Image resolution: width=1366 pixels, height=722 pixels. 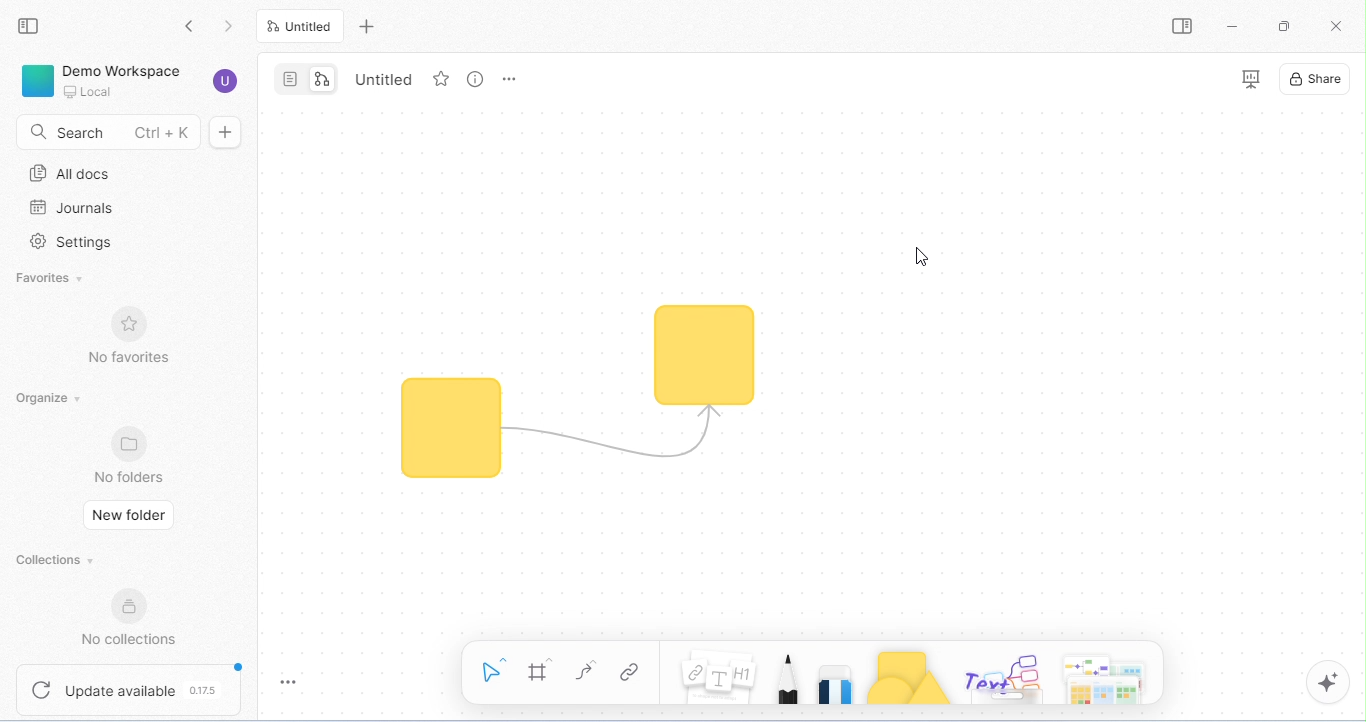 What do you see at coordinates (587, 671) in the screenshot?
I see `curve` at bounding box center [587, 671].